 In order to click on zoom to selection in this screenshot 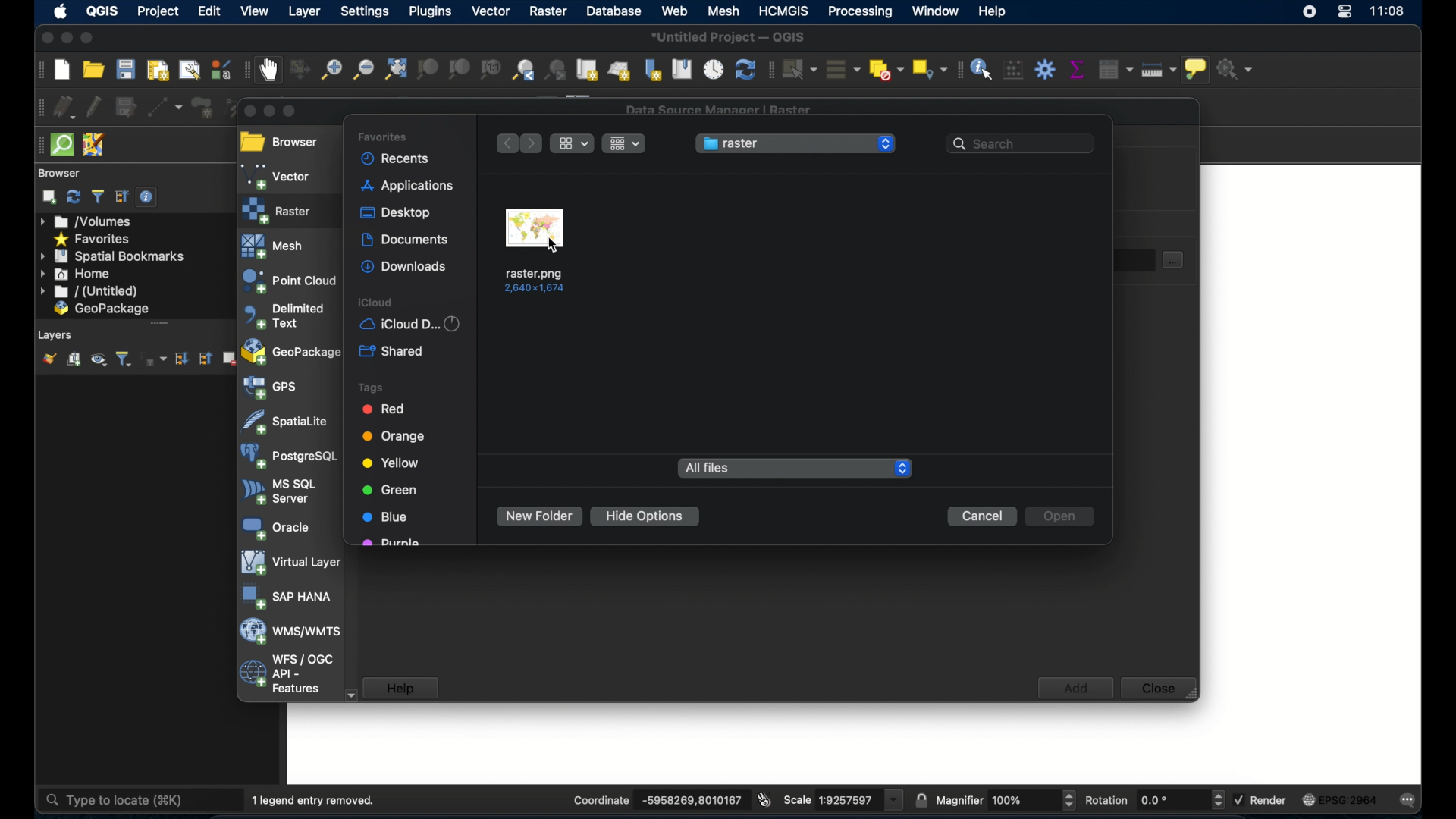, I will do `click(427, 69)`.